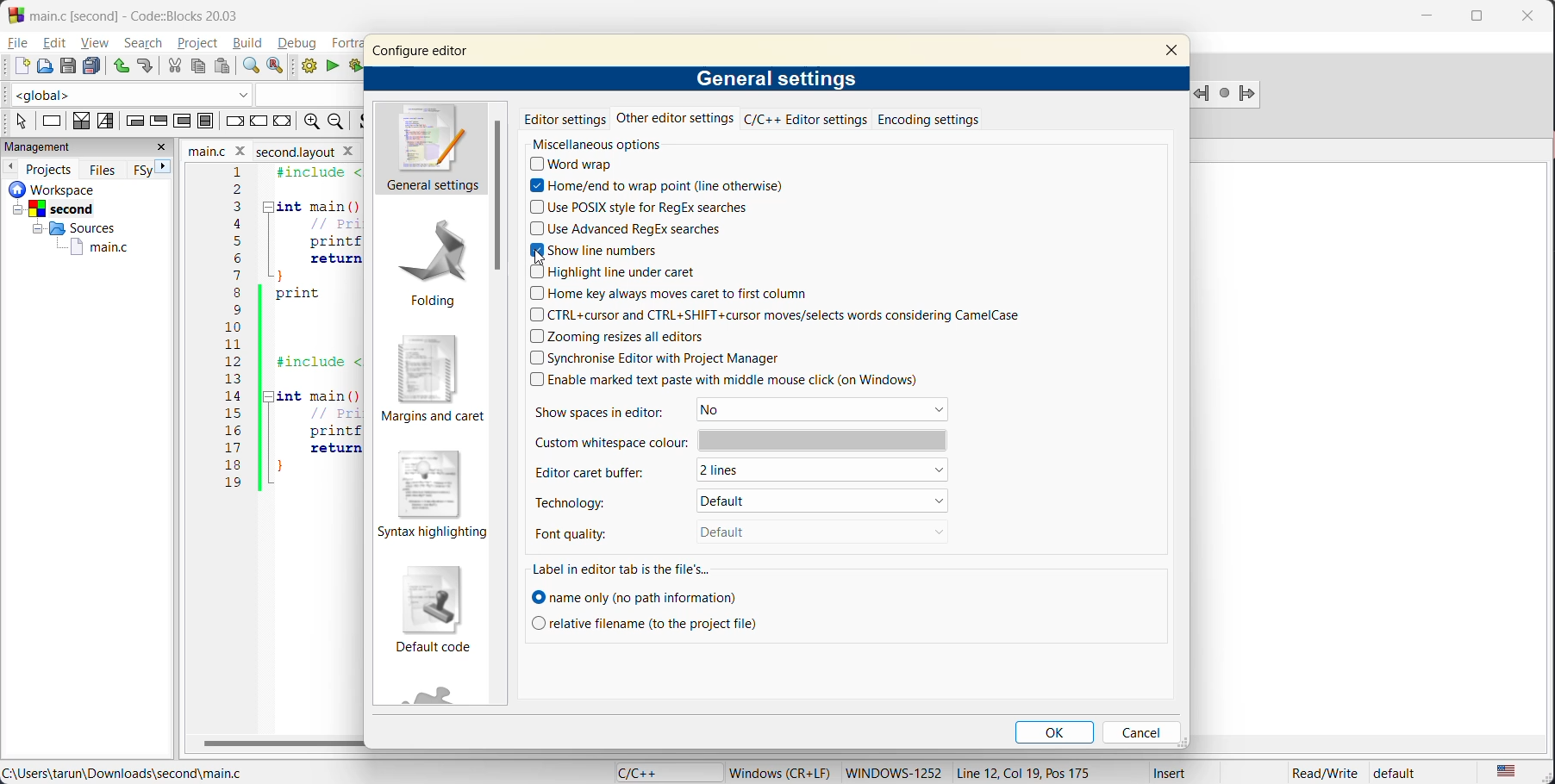  I want to click on files, so click(100, 169).